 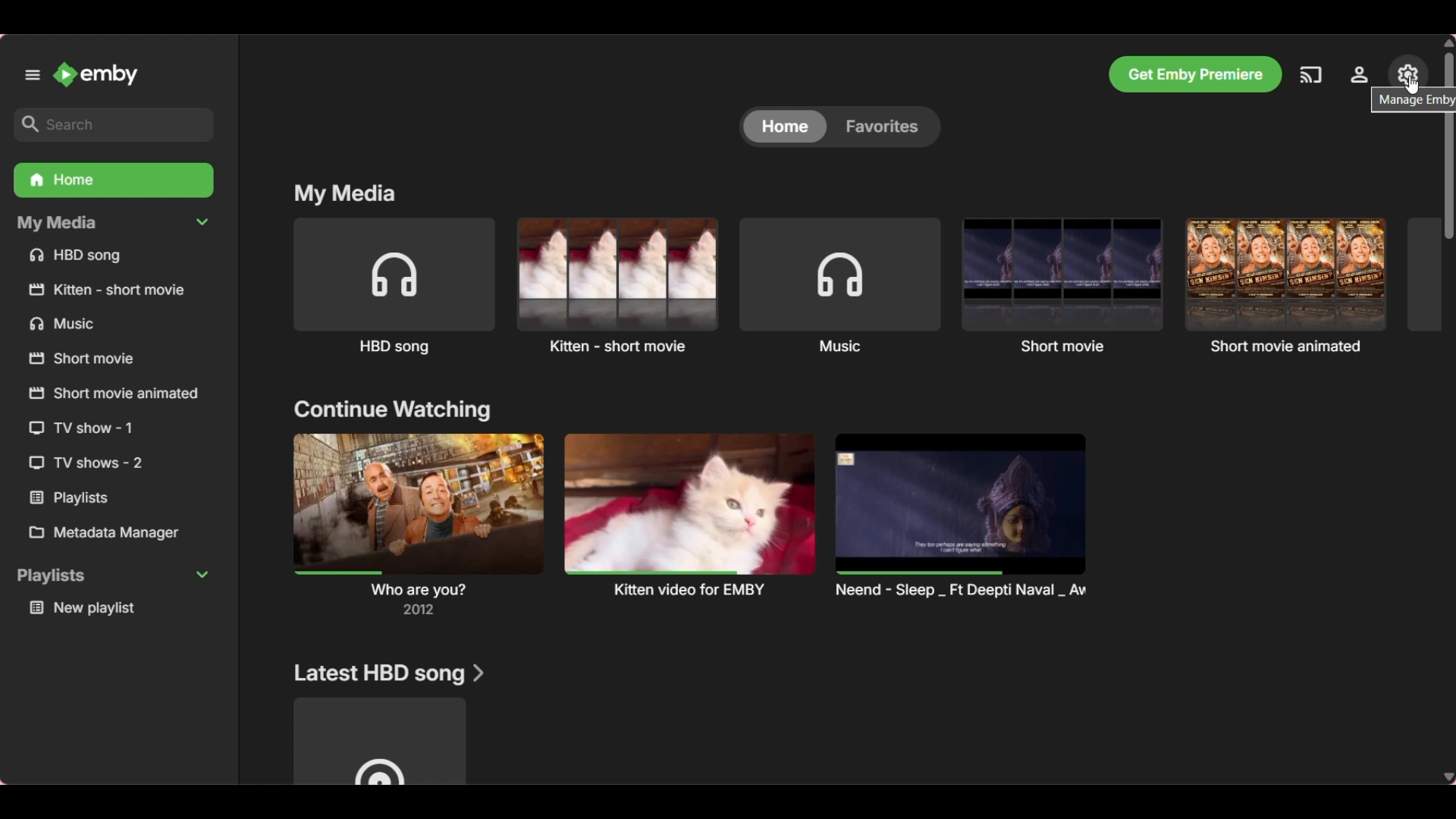 I want to click on Cursor, so click(x=1411, y=85).